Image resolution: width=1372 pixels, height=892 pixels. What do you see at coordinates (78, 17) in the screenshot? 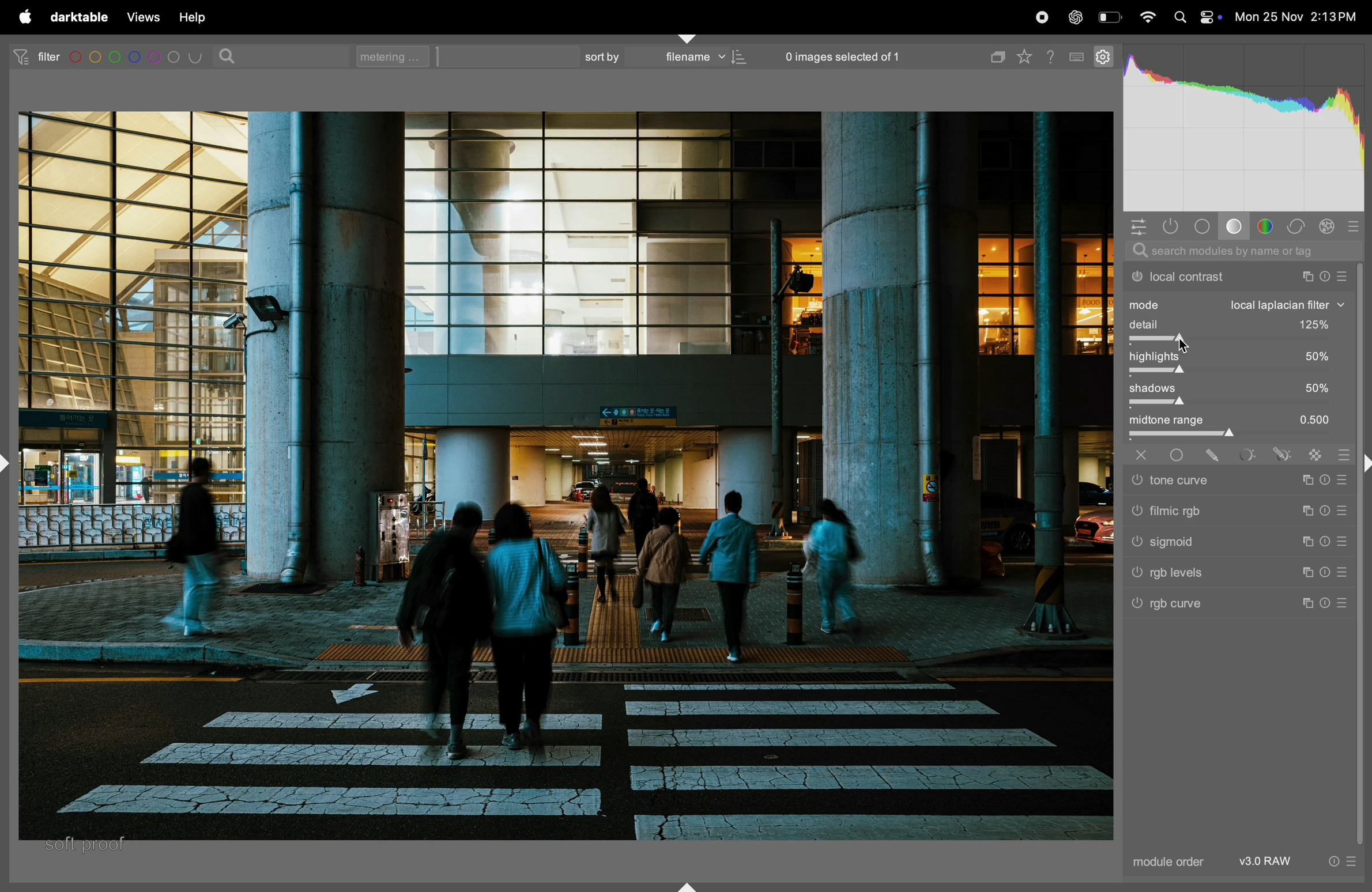
I see `darktable` at bounding box center [78, 17].